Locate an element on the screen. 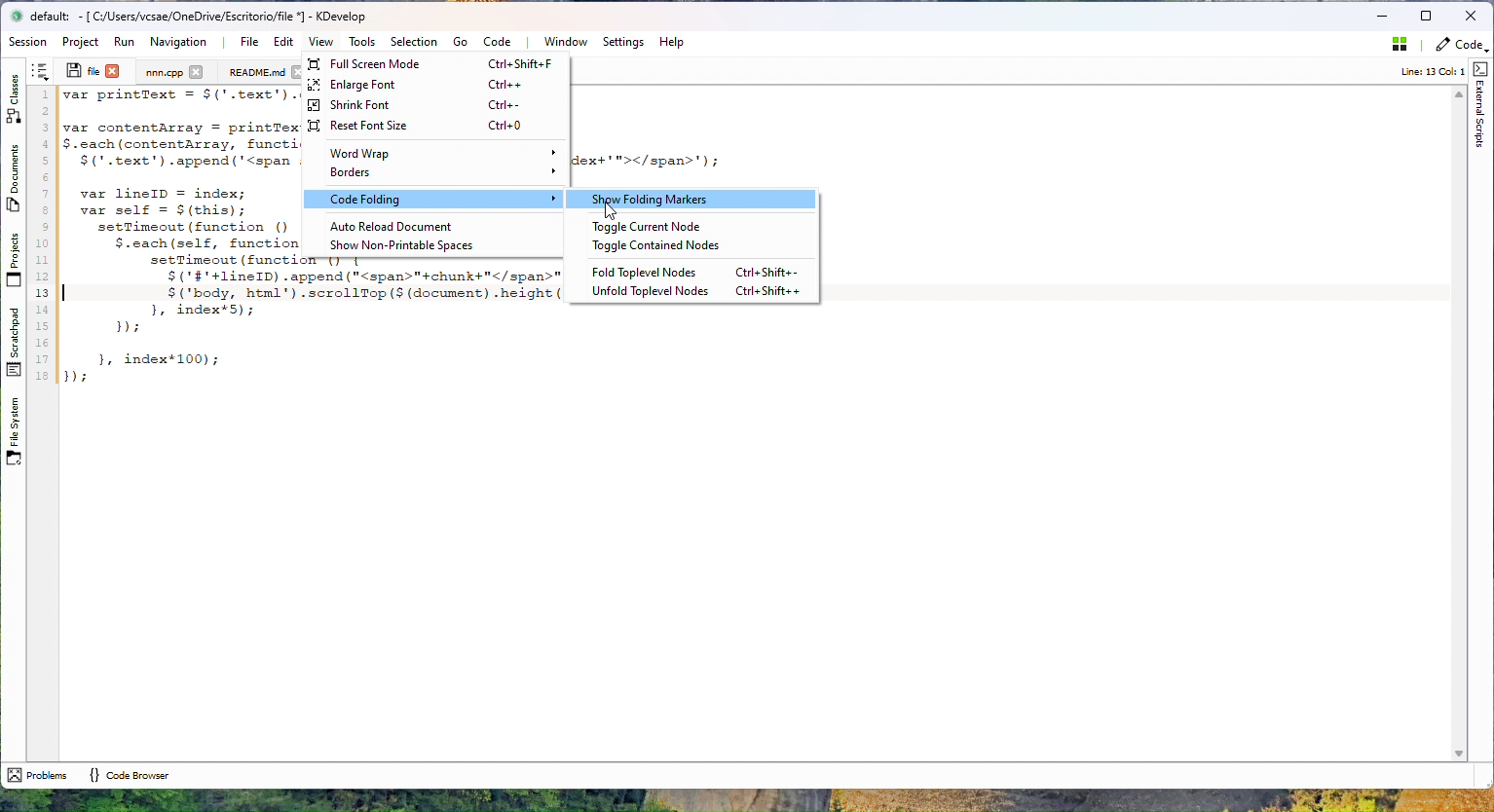  Projects is located at coordinates (13, 259).